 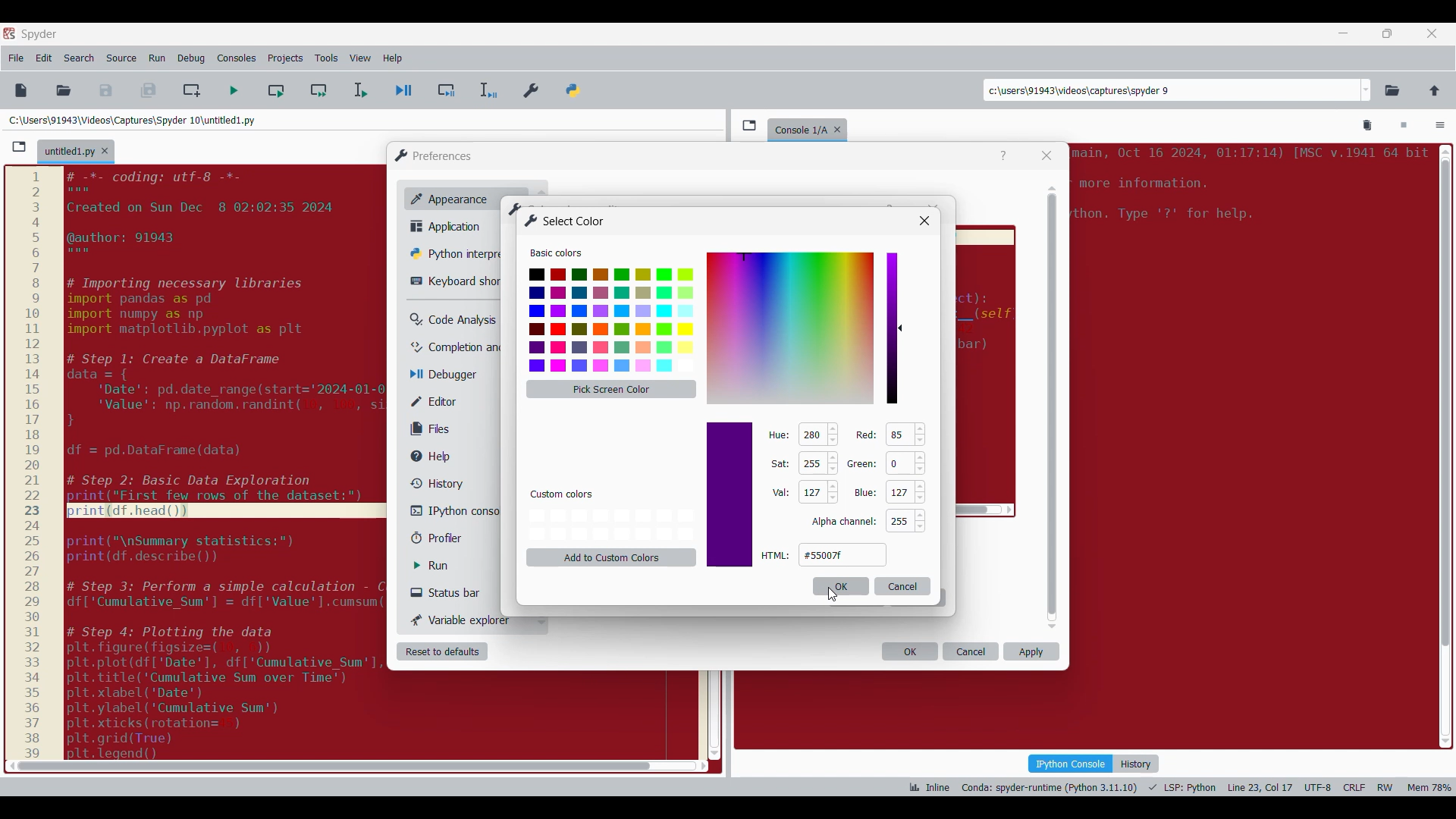 I want to click on Delete inputs made, so click(x=903, y=586).